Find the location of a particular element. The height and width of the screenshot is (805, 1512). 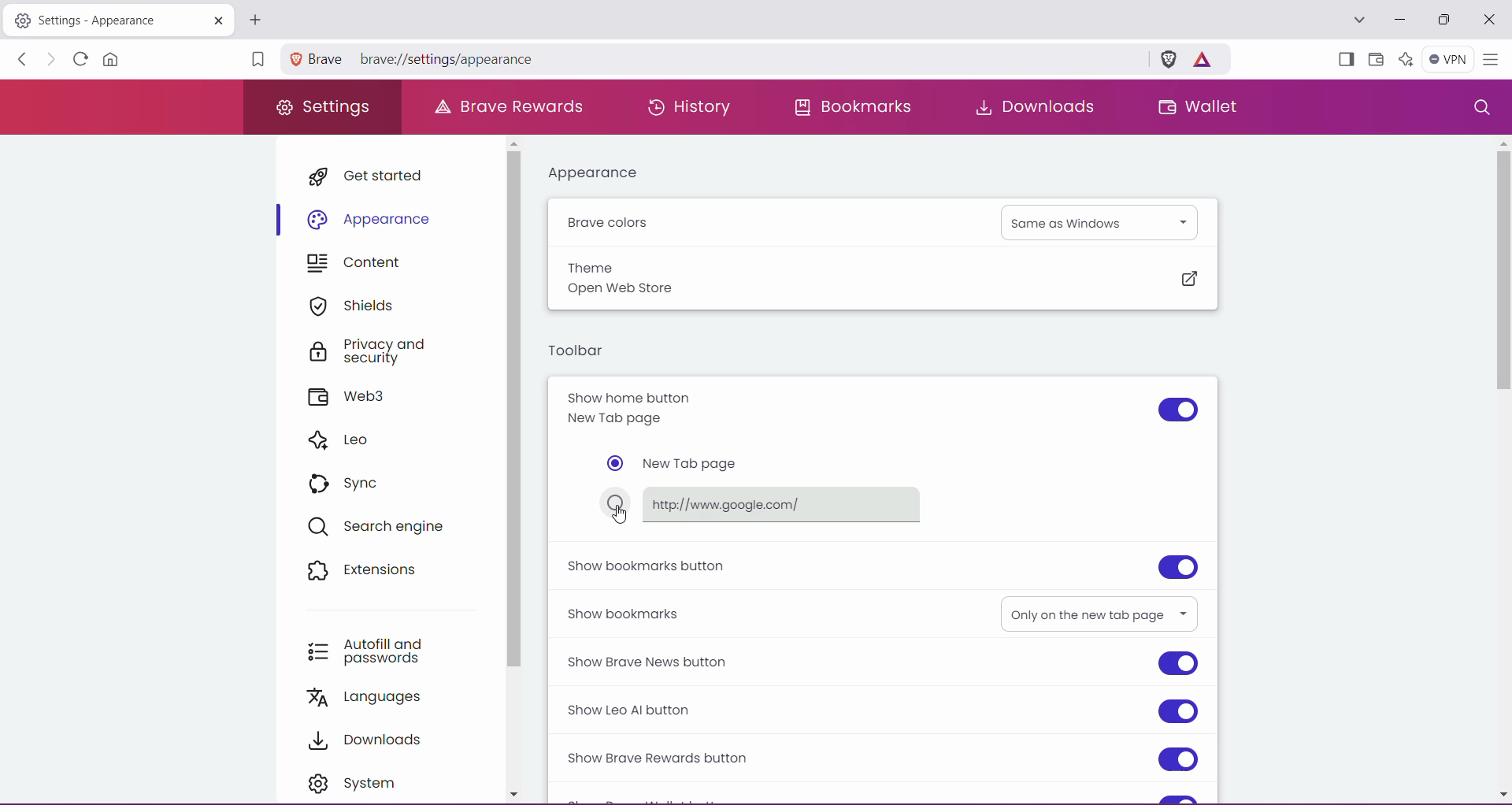

Languages is located at coordinates (374, 697).